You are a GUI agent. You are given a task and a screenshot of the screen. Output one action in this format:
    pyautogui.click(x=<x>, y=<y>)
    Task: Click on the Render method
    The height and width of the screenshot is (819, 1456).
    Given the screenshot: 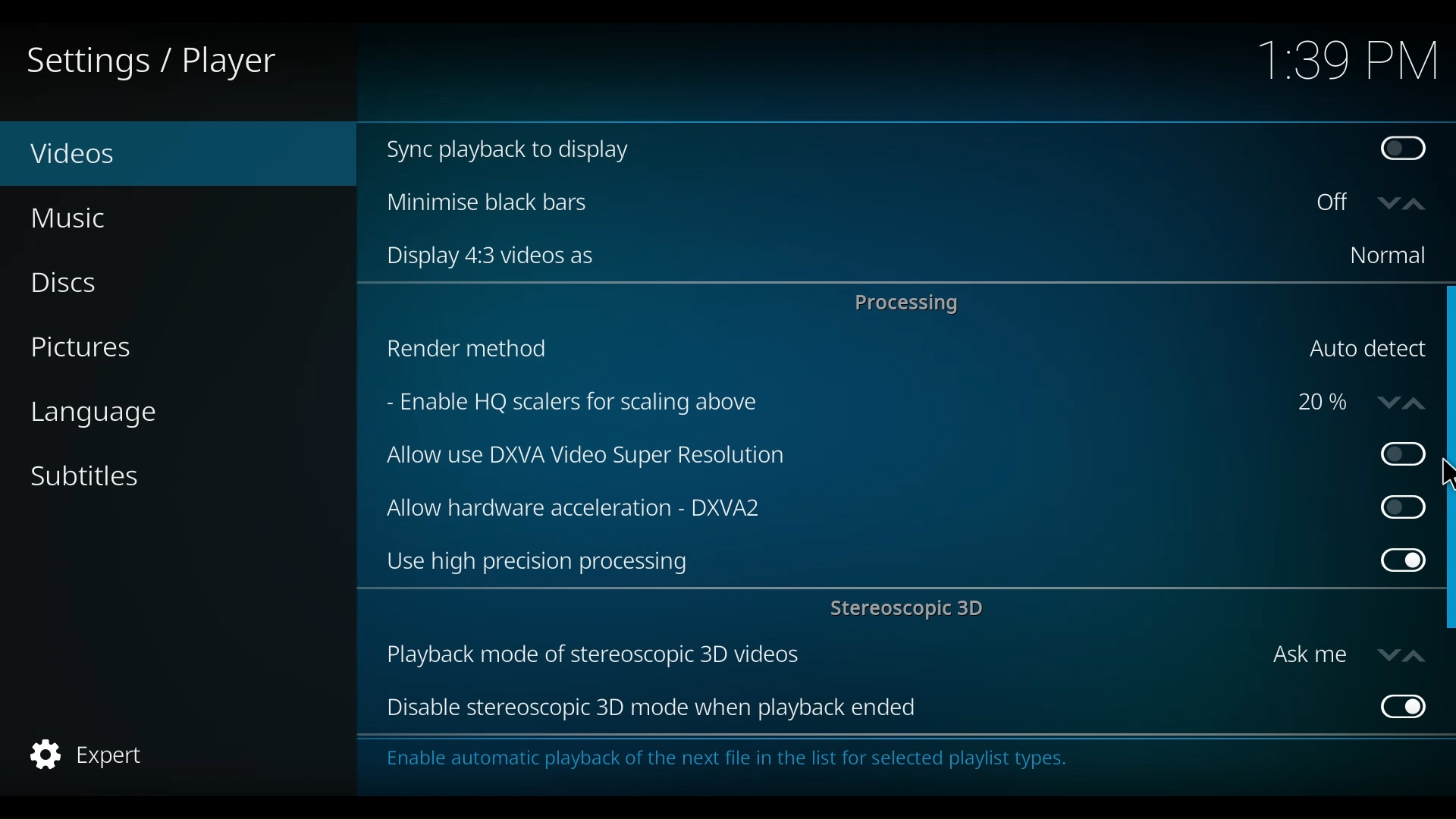 What is the action you would take?
    pyautogui.click(x=830, y=352)
    